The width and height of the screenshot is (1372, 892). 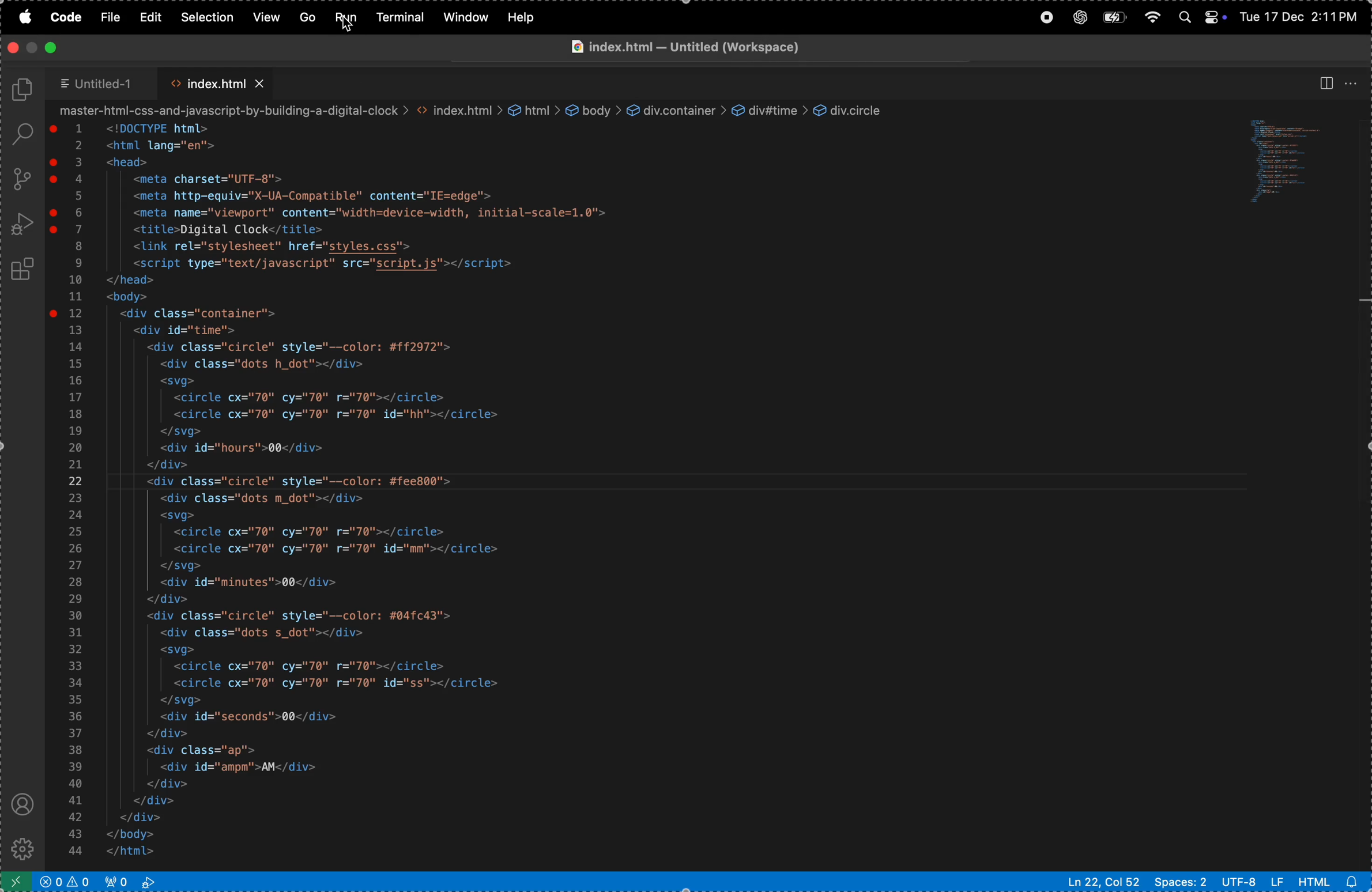 I want to click on run debug, so click(x=22, y=225).